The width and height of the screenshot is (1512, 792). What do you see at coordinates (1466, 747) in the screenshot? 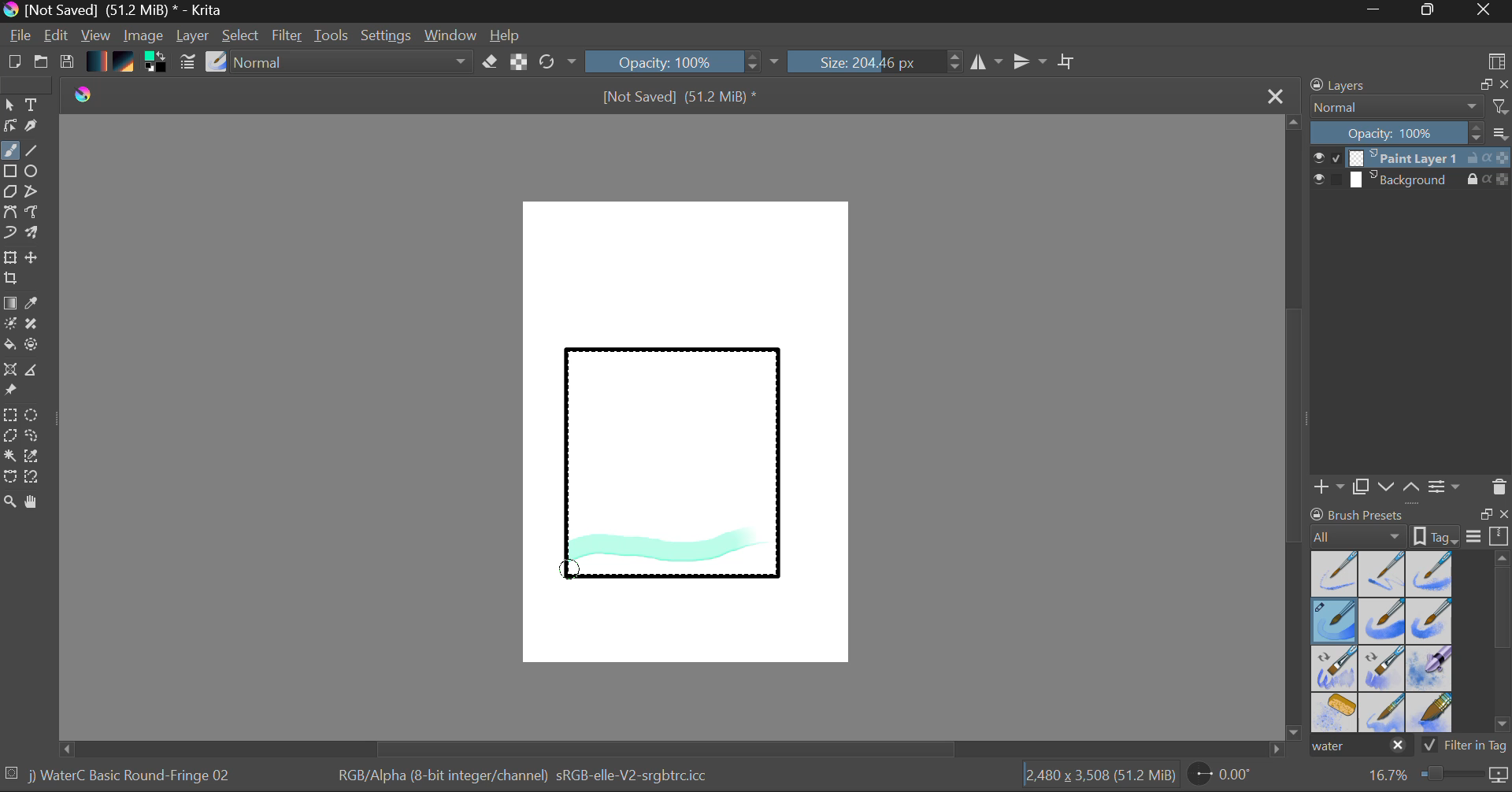
I see `Filter in Tag Option` at bounding box center [1466, 747].